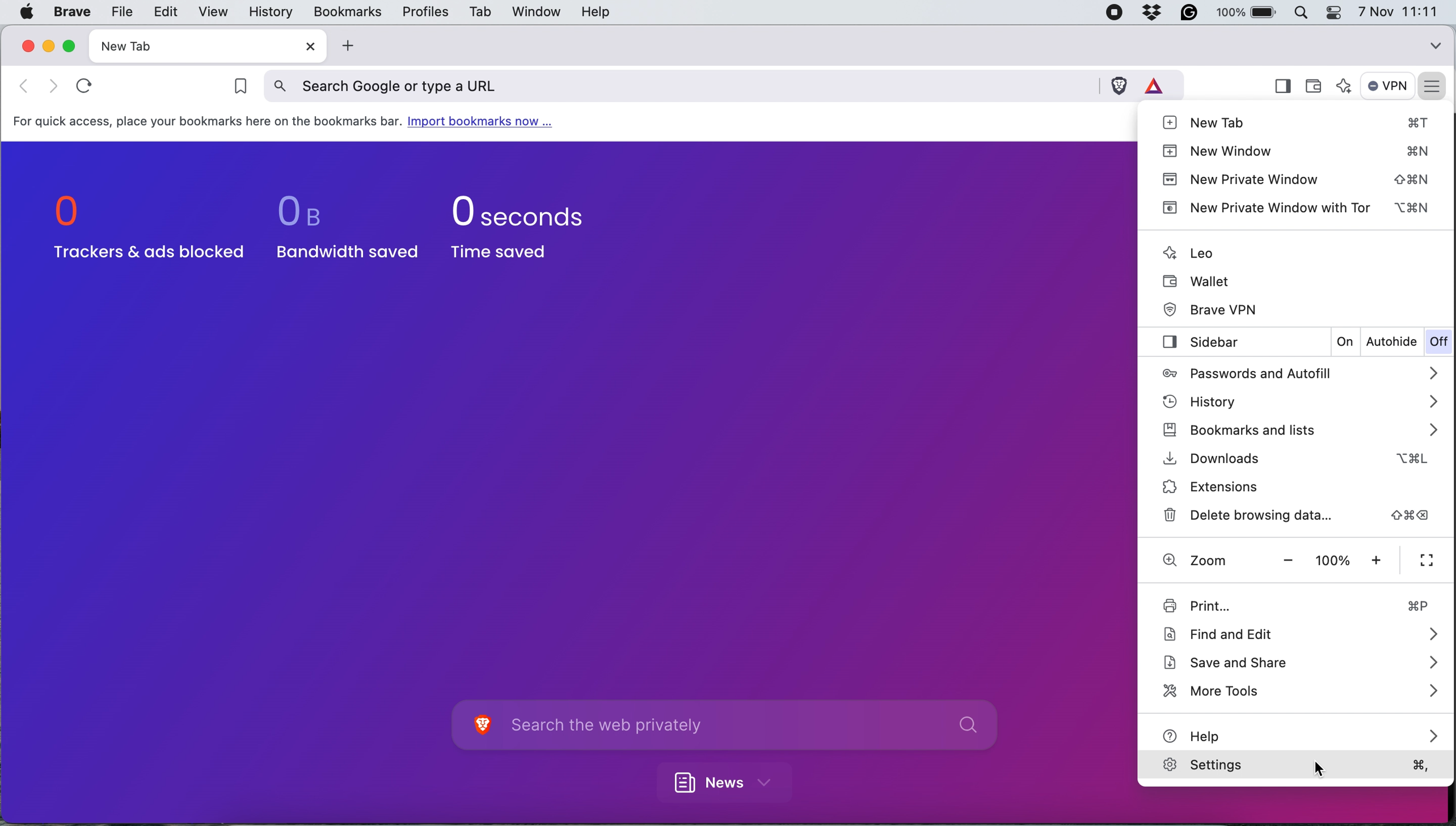 The height and width of the screenshot is (826, 1456). Describe the element at coordinates (269, 12) in the screenshot. I see `history` at that location.